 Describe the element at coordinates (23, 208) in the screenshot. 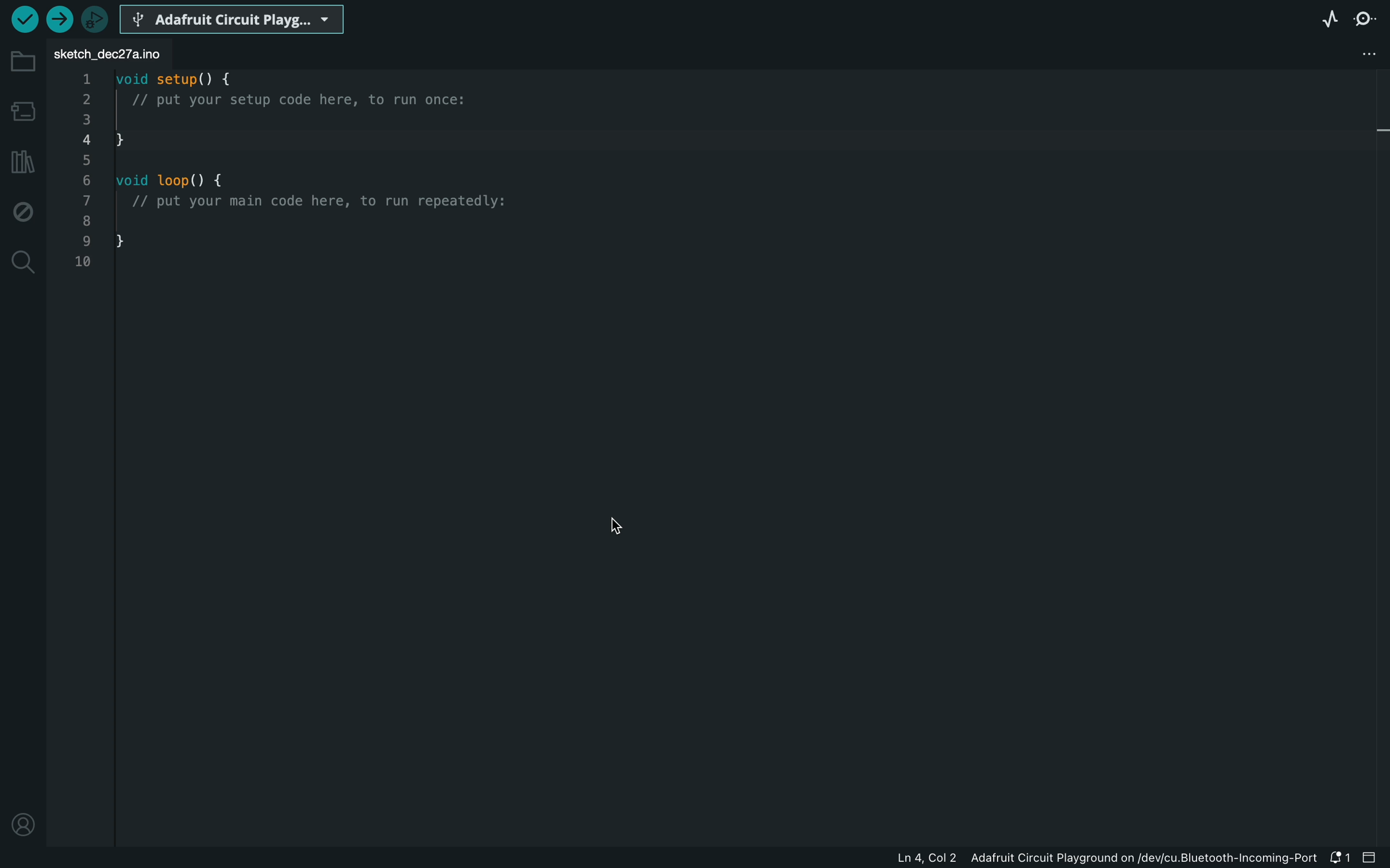

I see `debug` at that location.